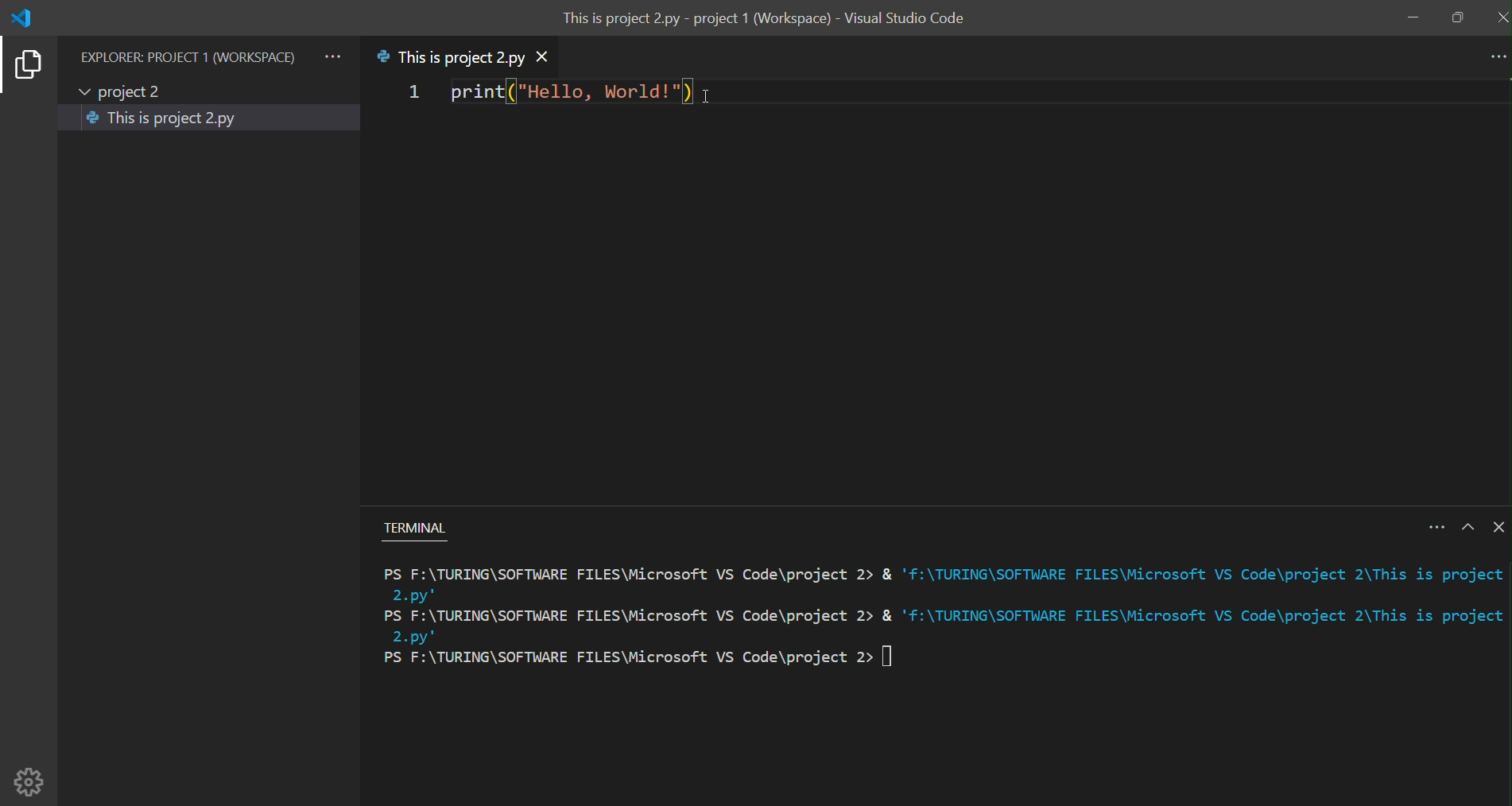 This screenshot has width=1512, height=806. Describe the element at coordinates (188, 56) in the screenshot. I see `explorer workspace` at that location.